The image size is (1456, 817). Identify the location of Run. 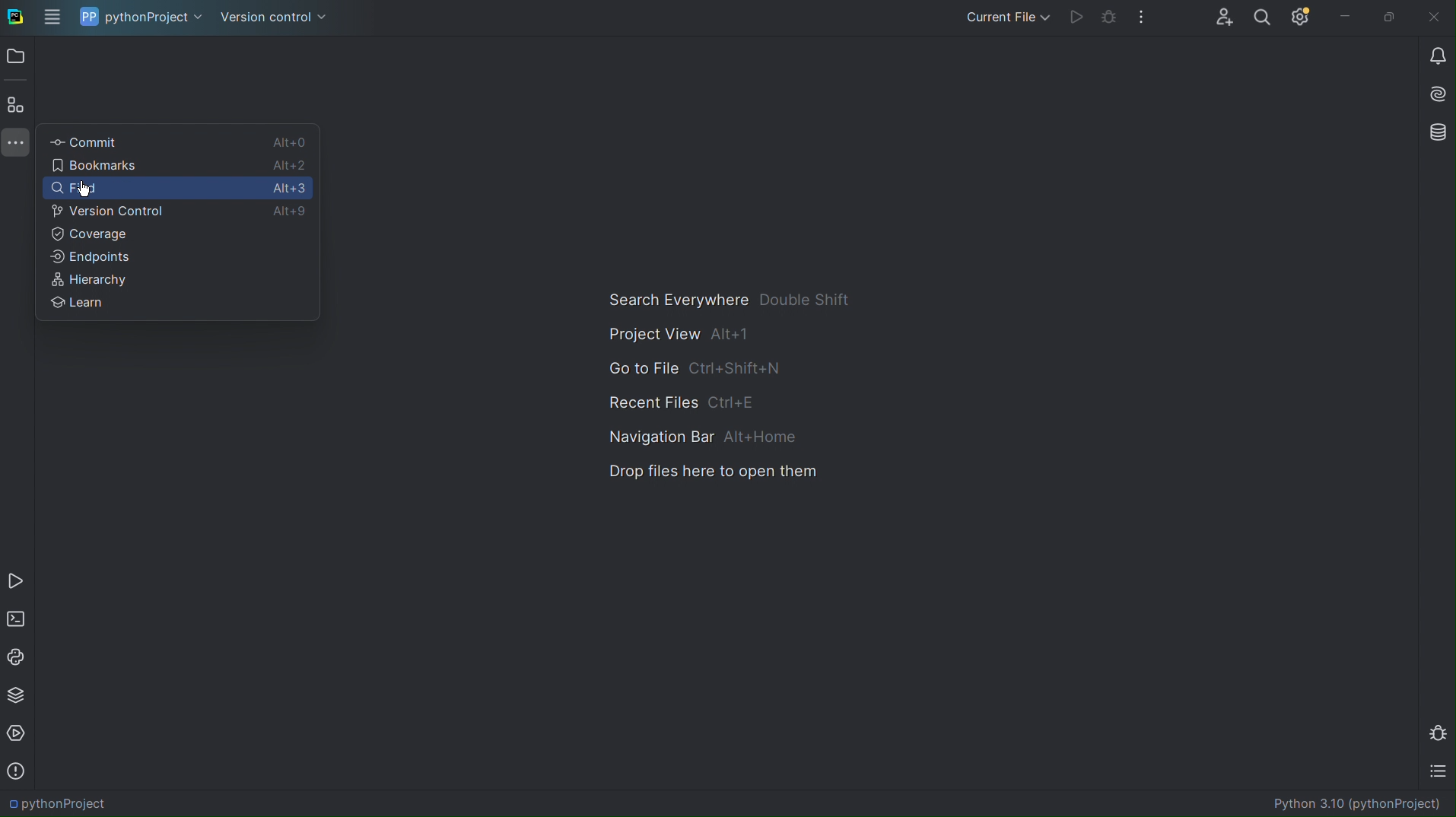
(17, 580).